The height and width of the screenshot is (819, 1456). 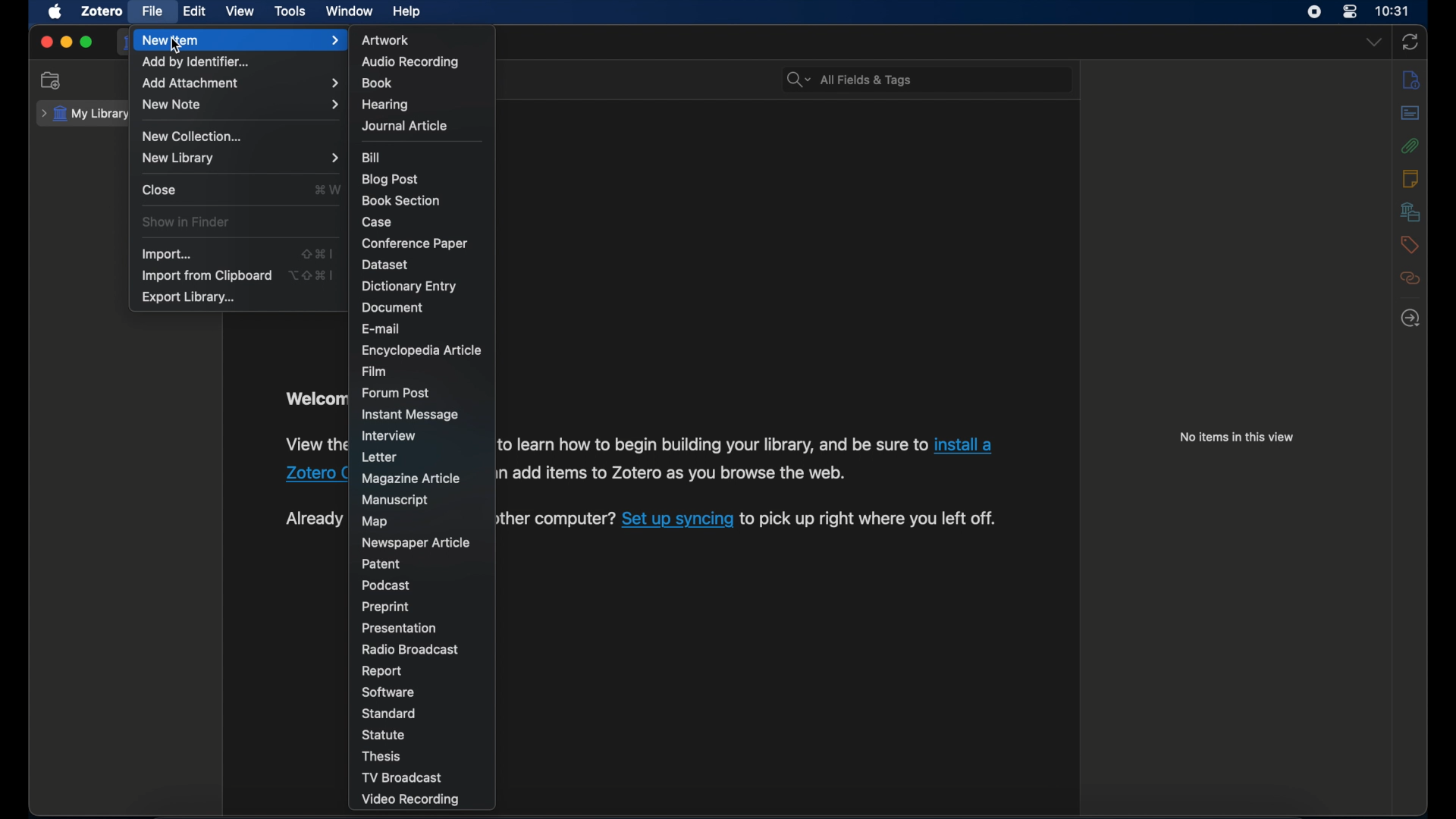 I want to click on new collection, so click(x=193, y=136).